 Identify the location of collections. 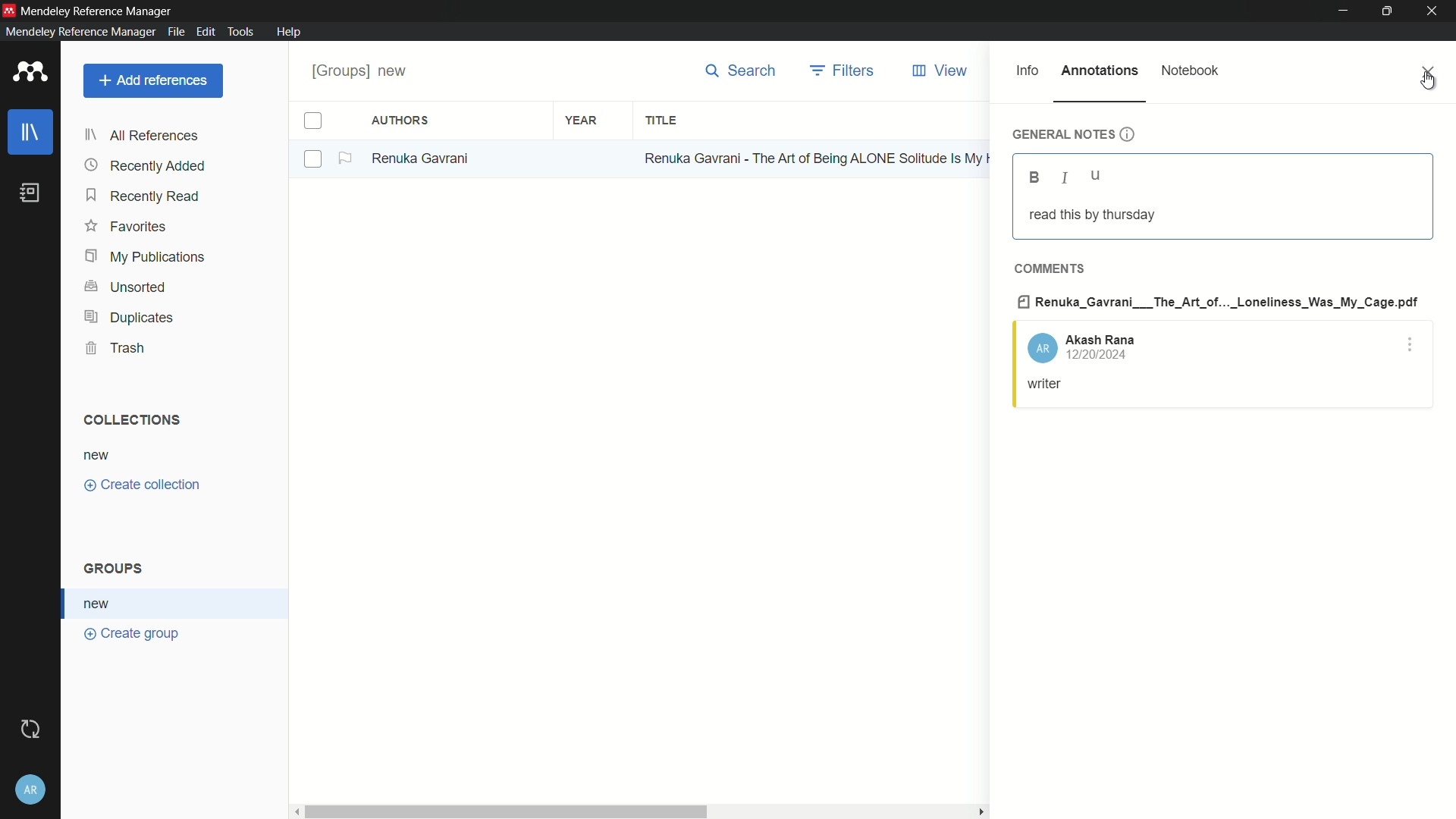
(133, 420).